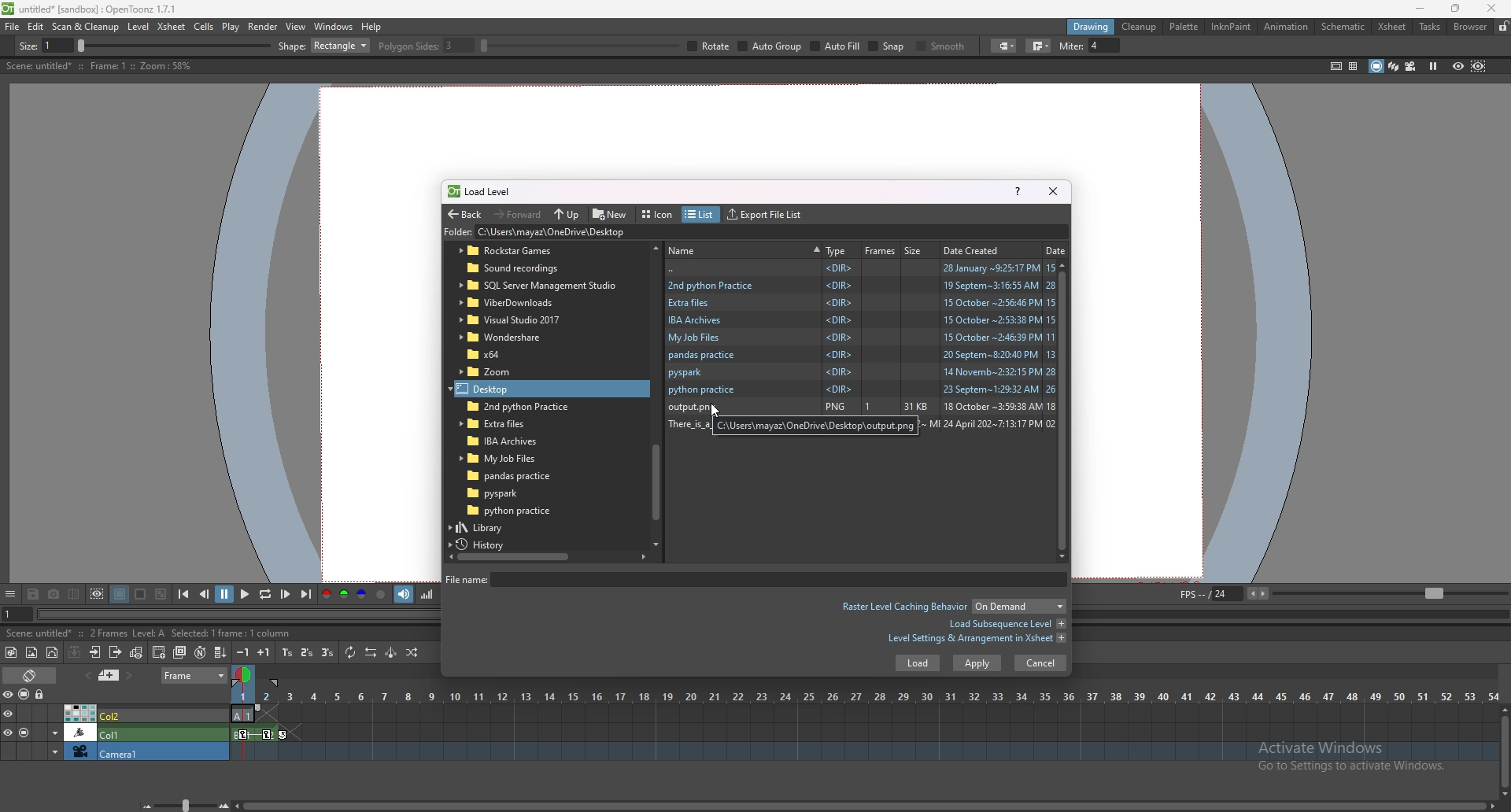  Describe the element at coordinates (195, 674) in the screenshot. I see `frame` at that location.